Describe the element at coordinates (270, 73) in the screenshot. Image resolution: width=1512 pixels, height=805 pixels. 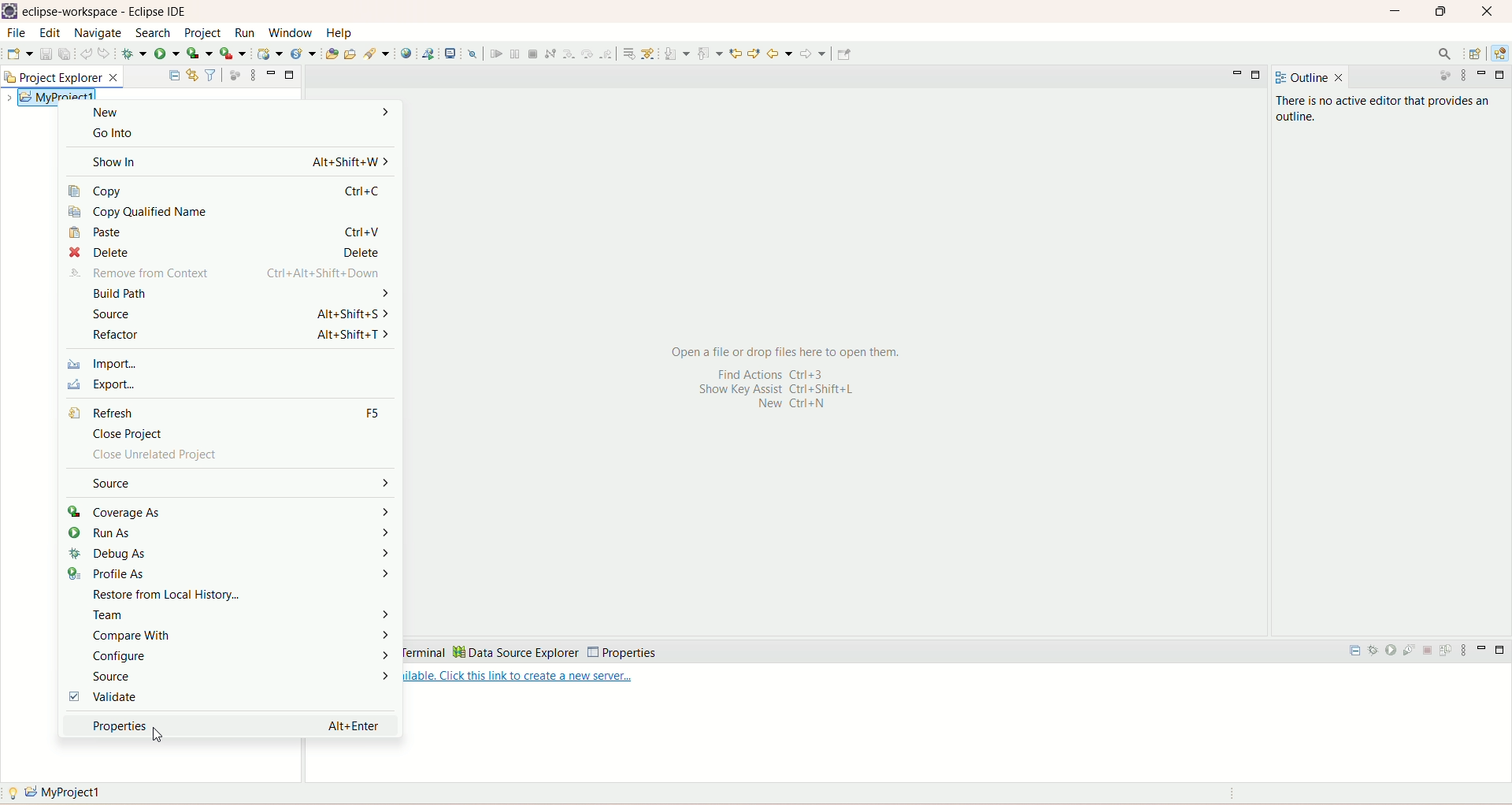
I see `minimize` at that location.